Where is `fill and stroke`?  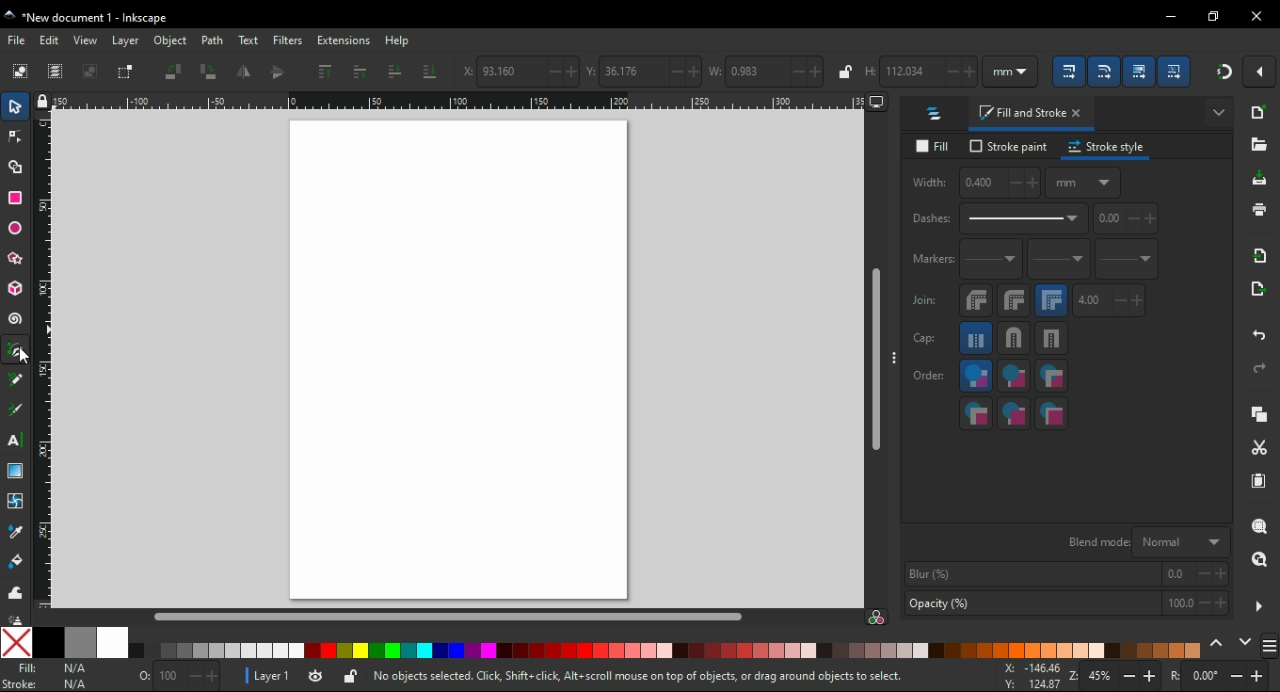
fill and stroke is located at coordinates (1032, 114).